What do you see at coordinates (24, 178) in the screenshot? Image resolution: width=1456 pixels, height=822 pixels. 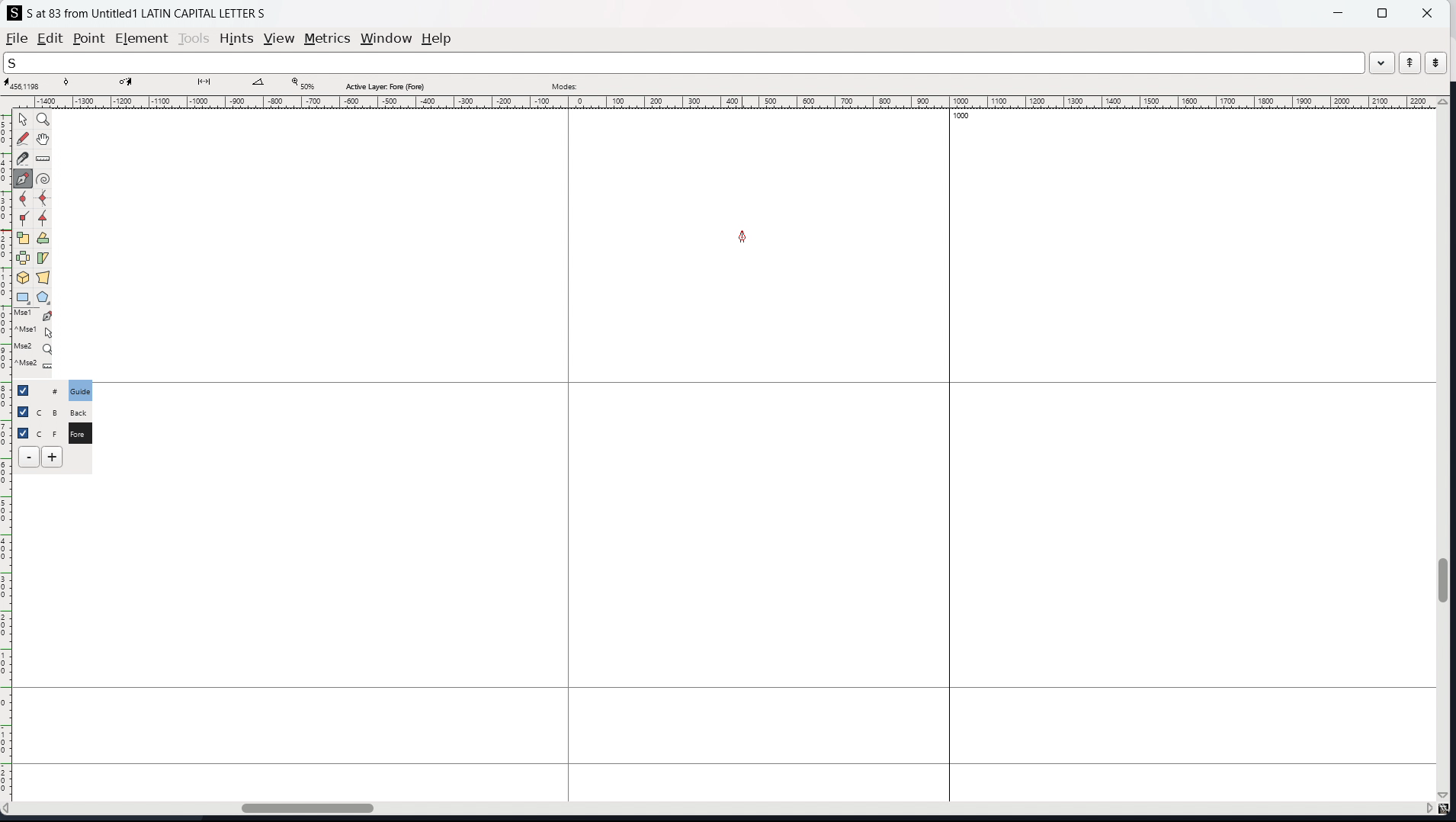 I see `add a point then drag out its control points` at bounding box center [24, 178].